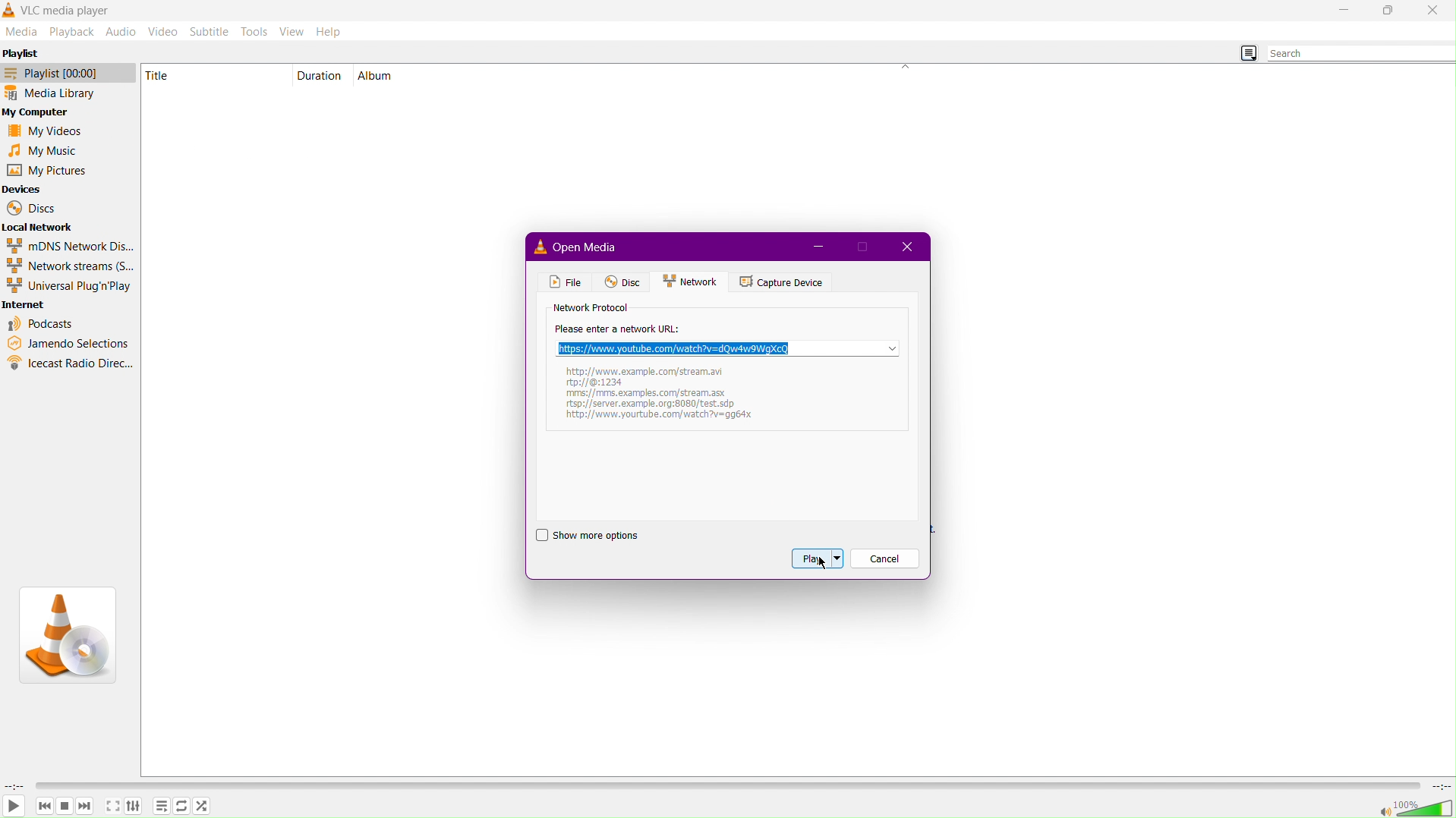  Describe the element at coordinates (9, 9) in the screenshot. I see `logo` at that location.